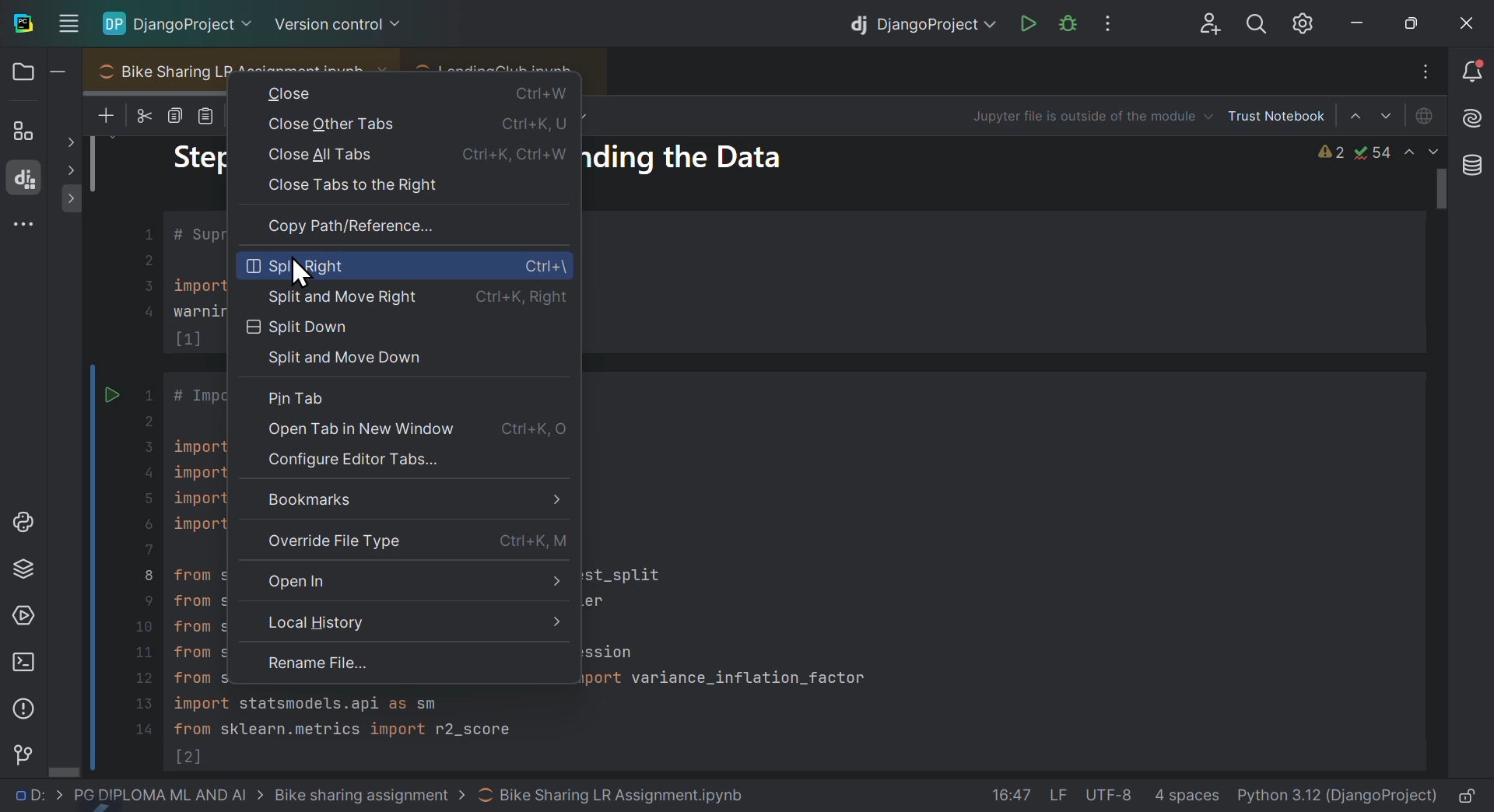  I want to click on Close tabs to the right, so click(384, 184).